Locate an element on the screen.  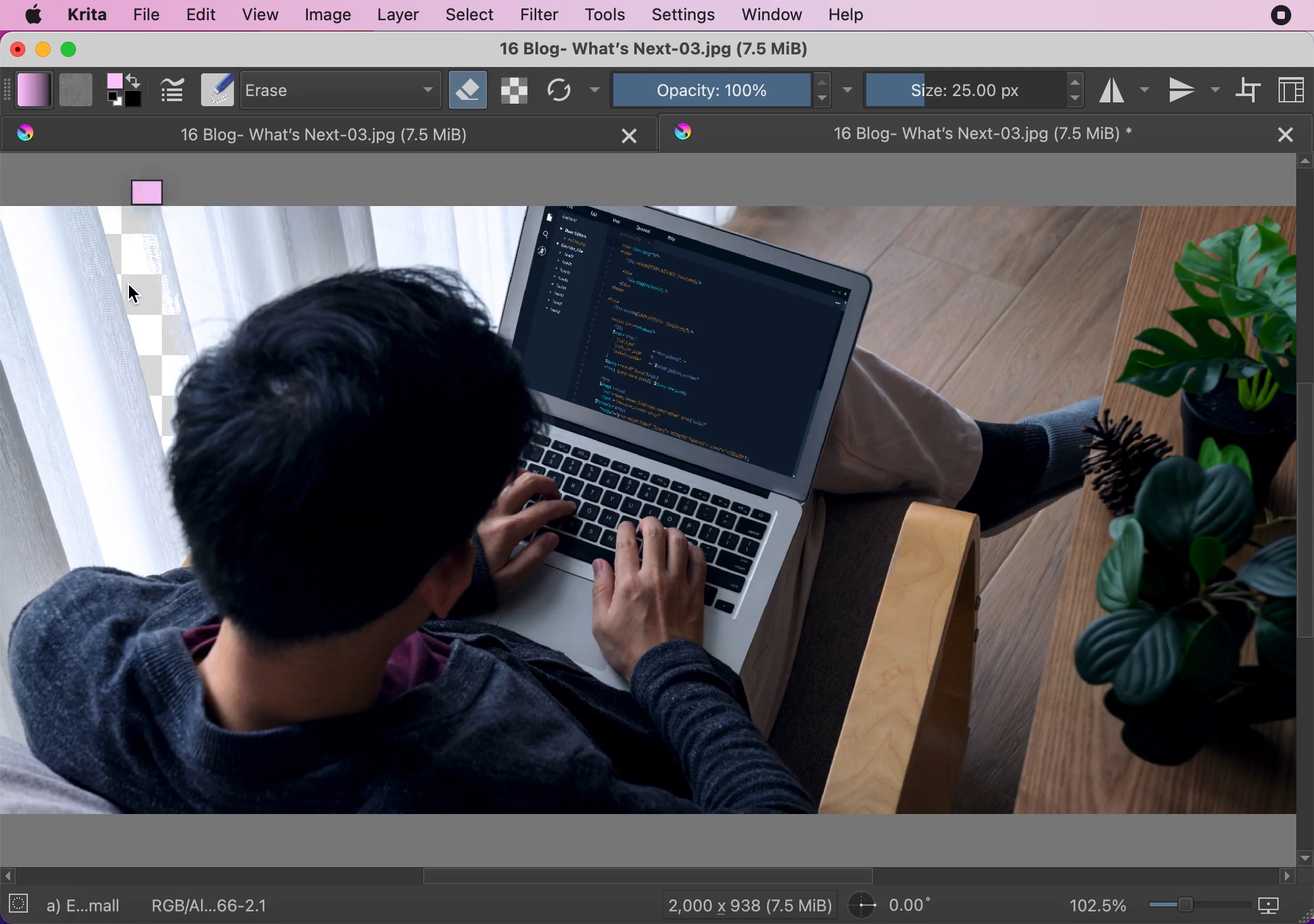
102.5% is located at coordinates (1100, 904).